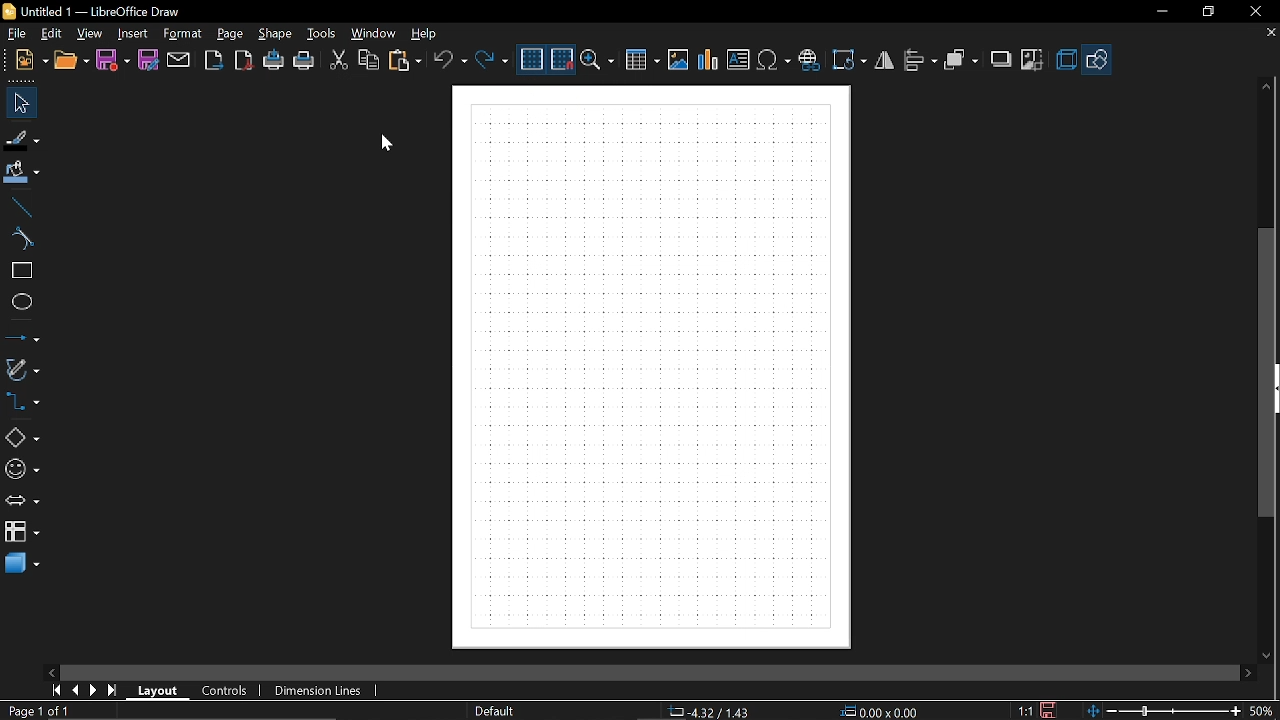 The image size is (1280, 720). What do you see at coordinates (26, 503) in the screenshot?
I see `arrows` at bounding box center [26, 503].